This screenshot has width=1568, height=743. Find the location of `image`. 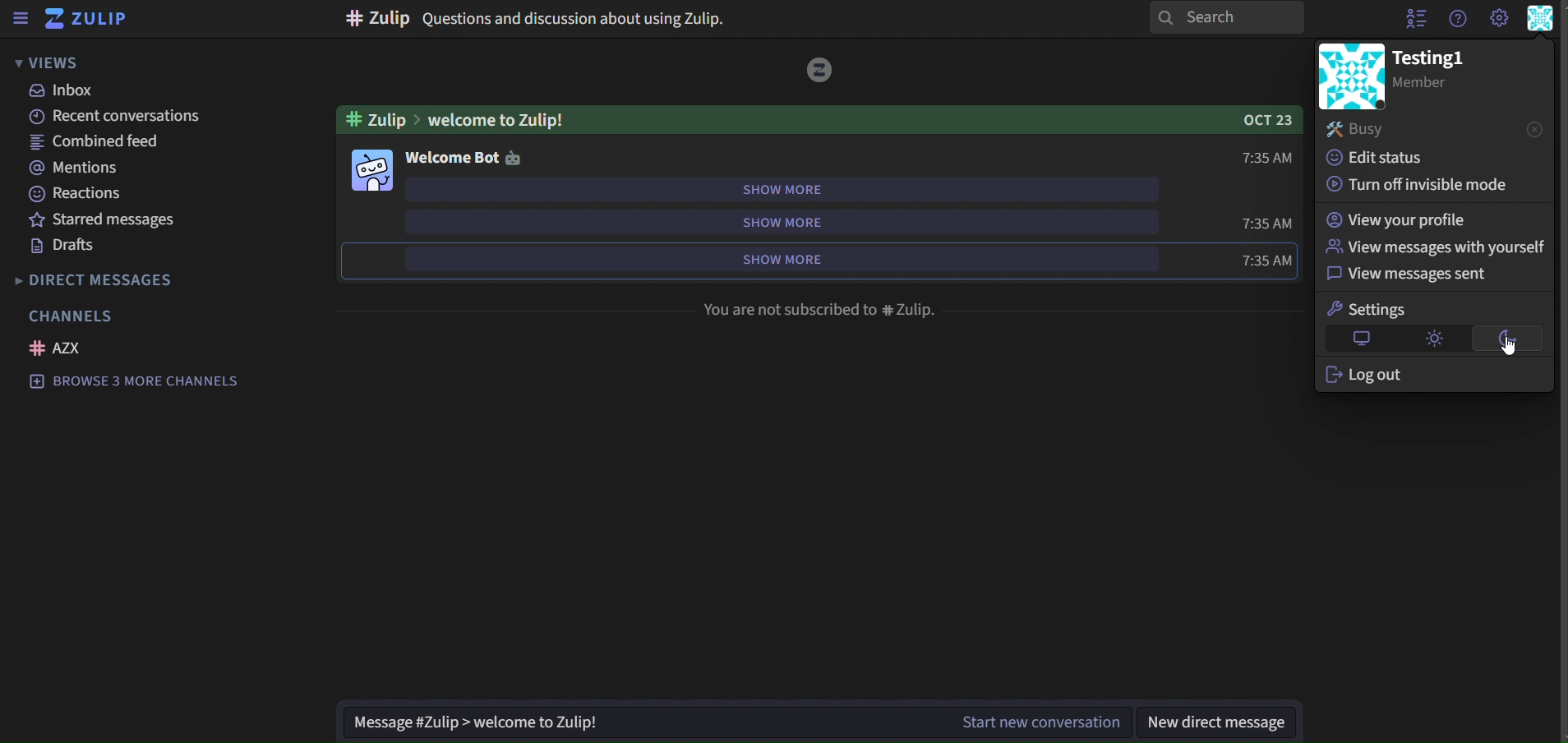

image is located at coordinates (822, 70).